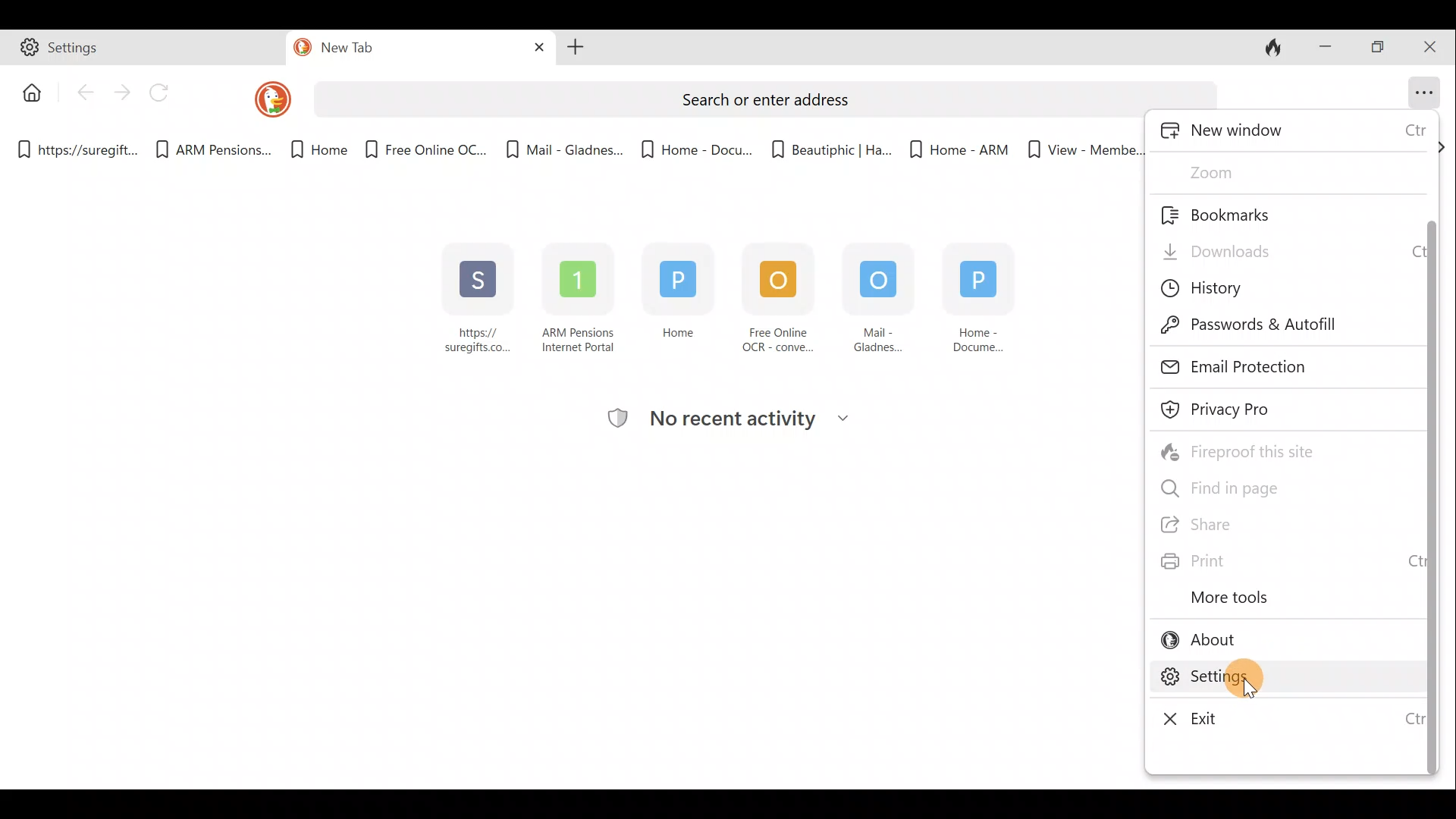  I want to click on About, so click(1210, 642).